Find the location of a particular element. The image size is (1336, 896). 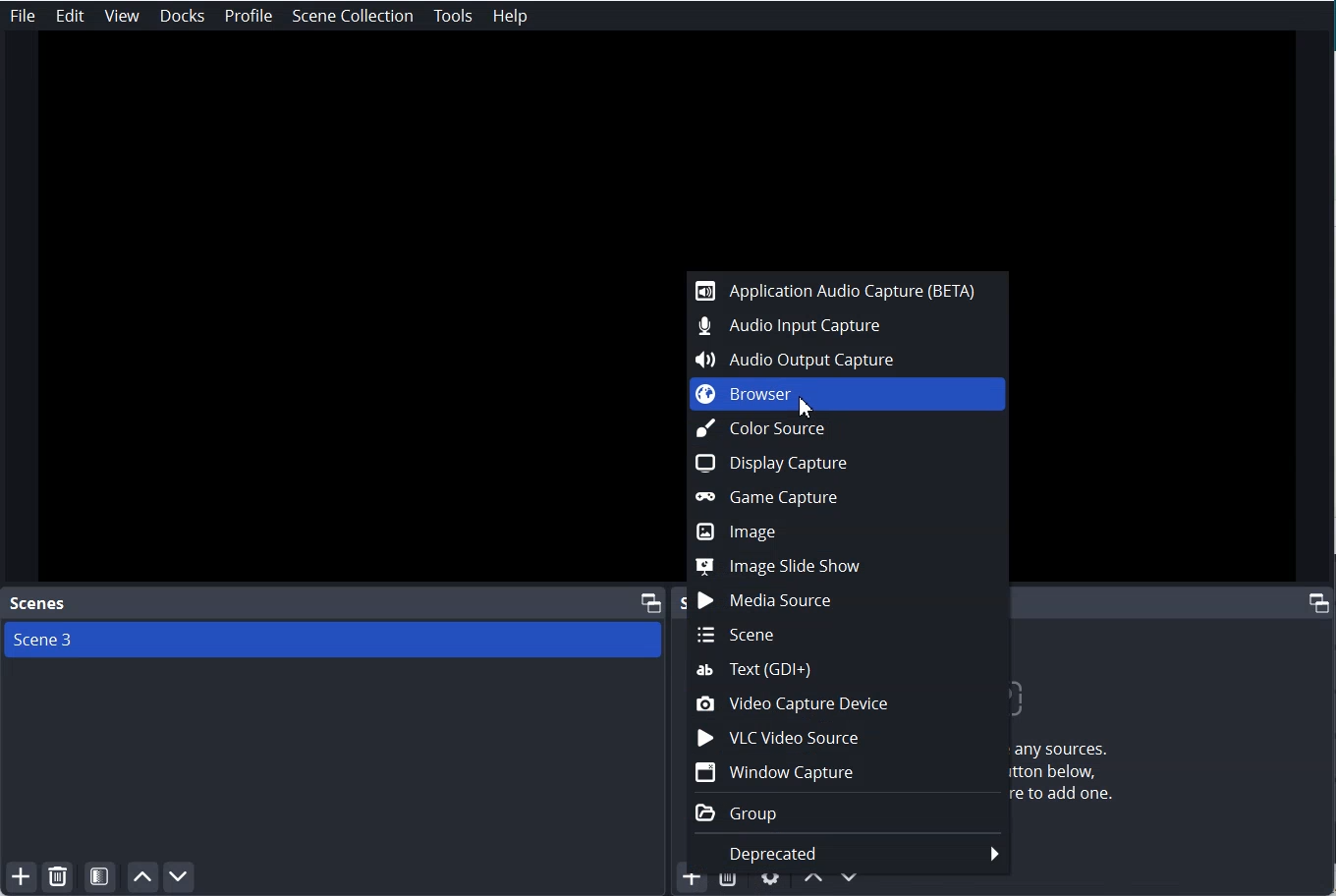

Scene Collection is located at coordinates (354, 16).